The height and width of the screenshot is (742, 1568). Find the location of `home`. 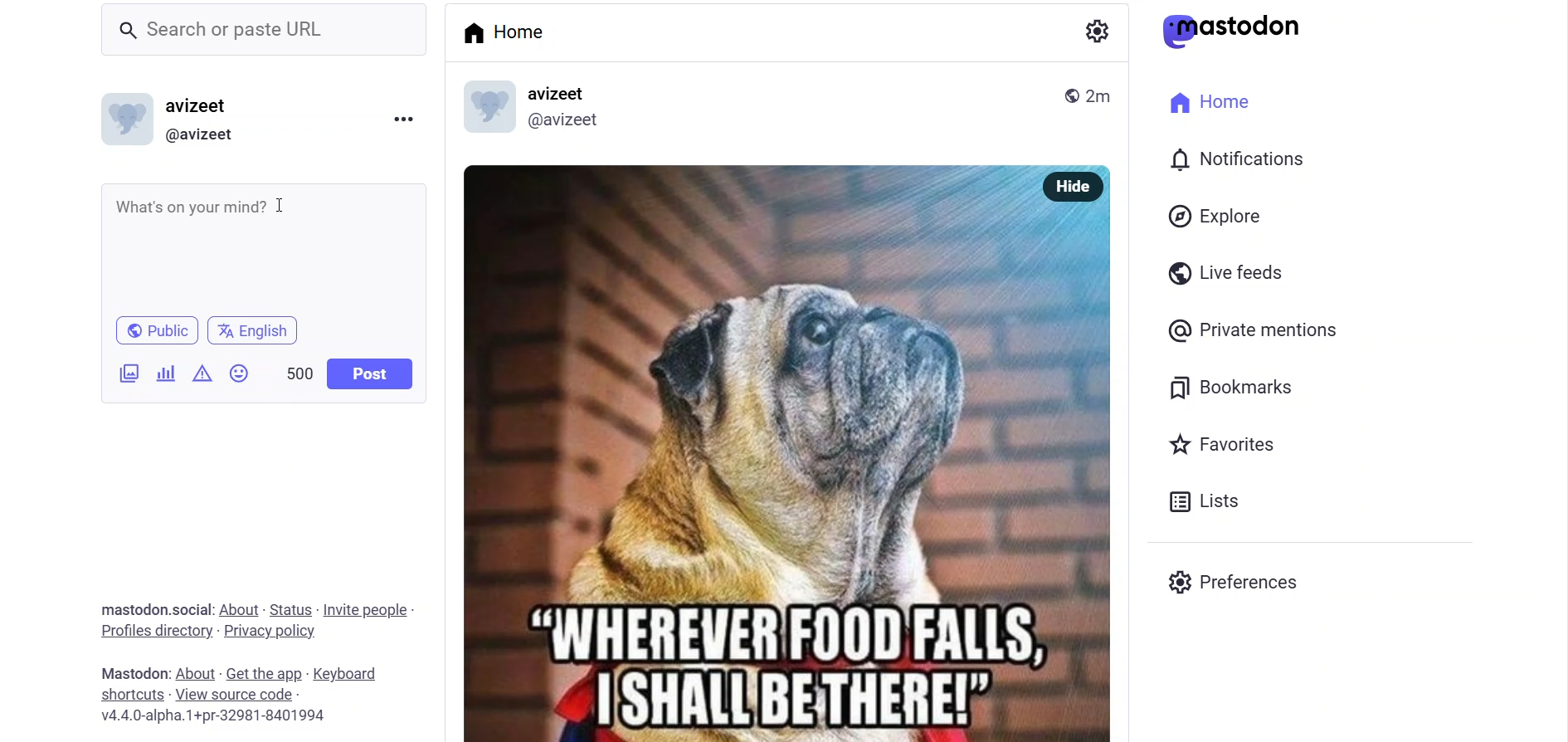

home is located at coordinates (515, 34).